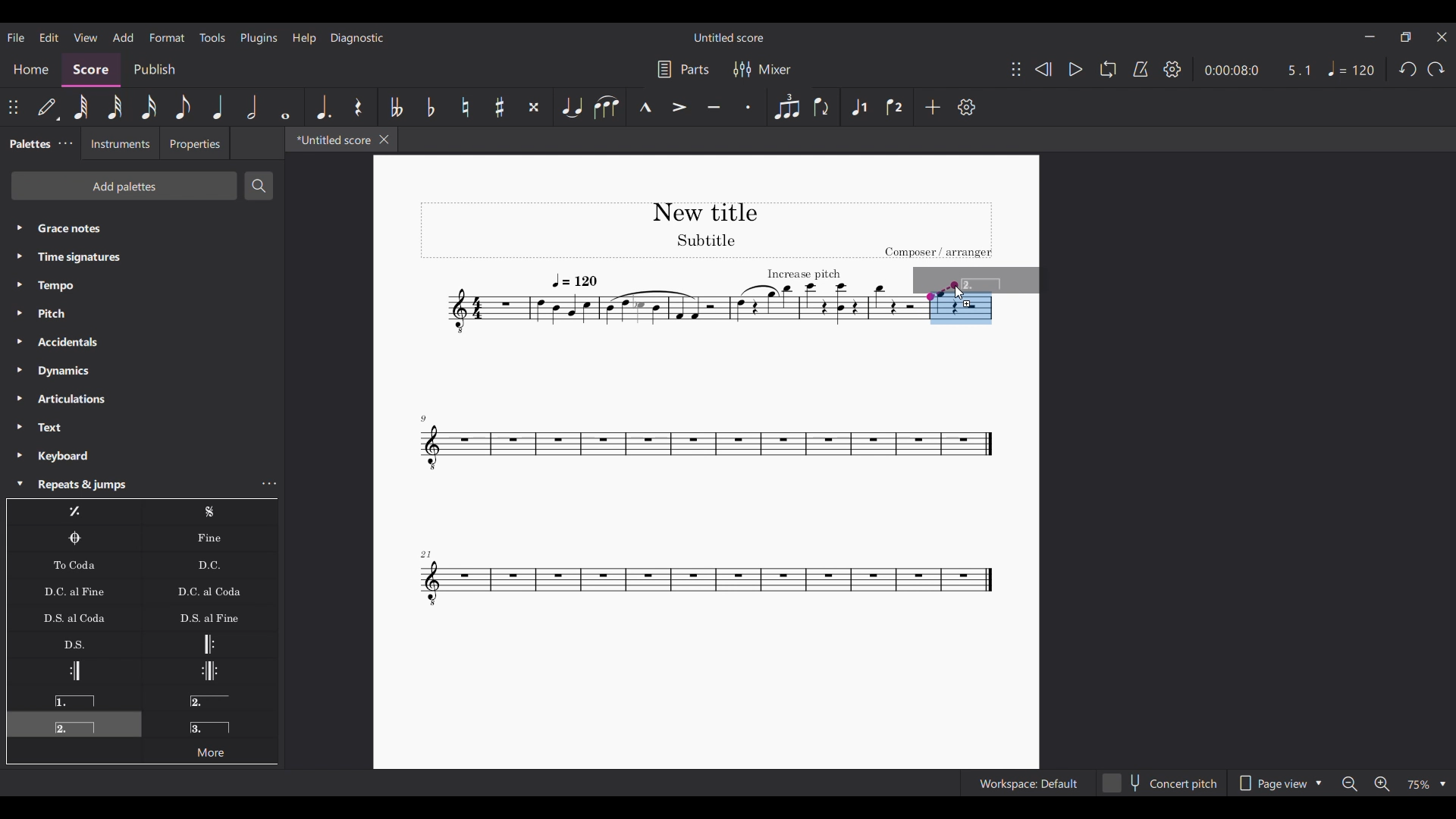  I want to click on Palettes, so click(28, 144).